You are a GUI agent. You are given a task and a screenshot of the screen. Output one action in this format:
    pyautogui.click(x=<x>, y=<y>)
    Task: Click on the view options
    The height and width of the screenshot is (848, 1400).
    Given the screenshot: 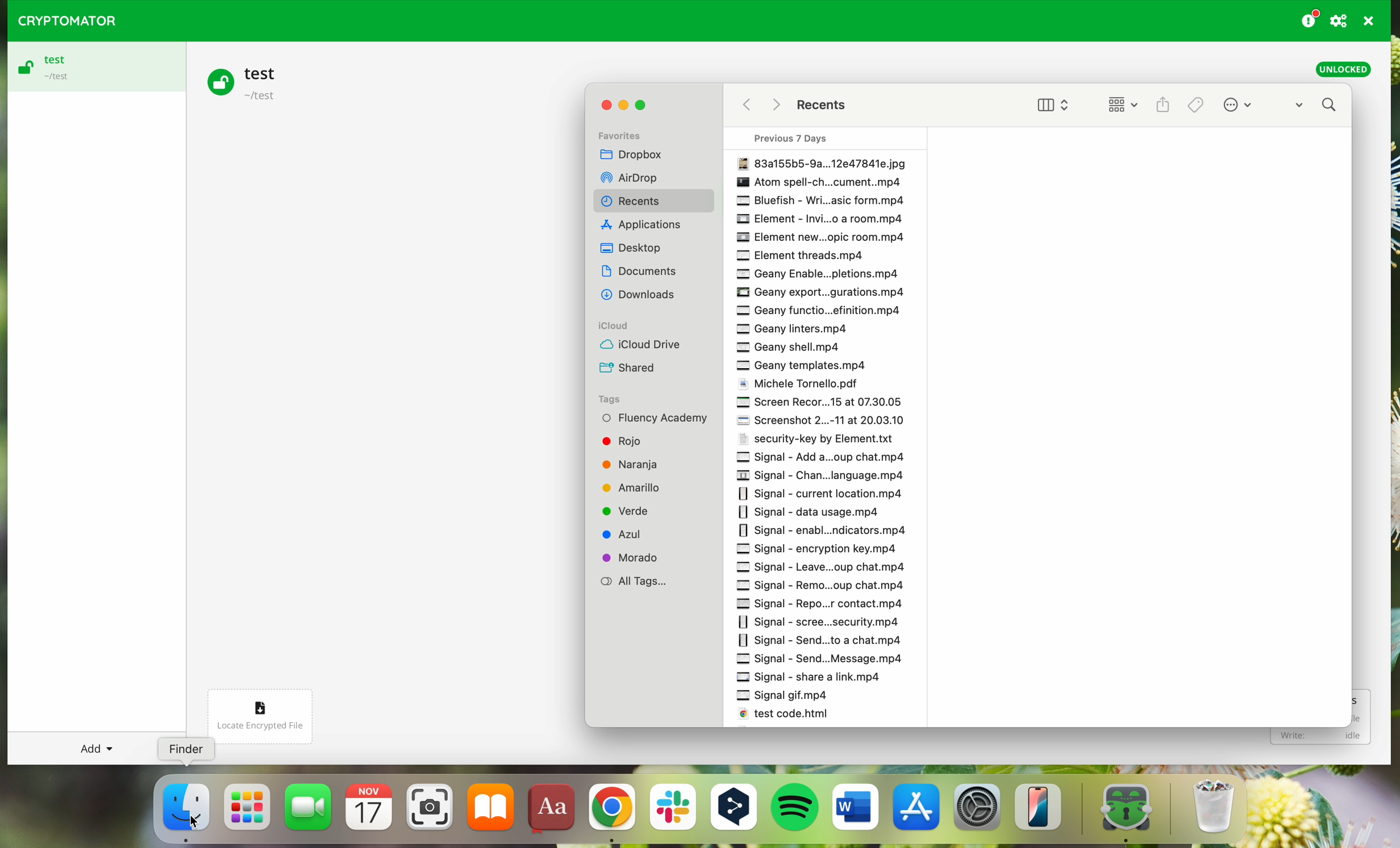 What is the action you would take?
    pyautogui.click(x=1051, y=110)
    